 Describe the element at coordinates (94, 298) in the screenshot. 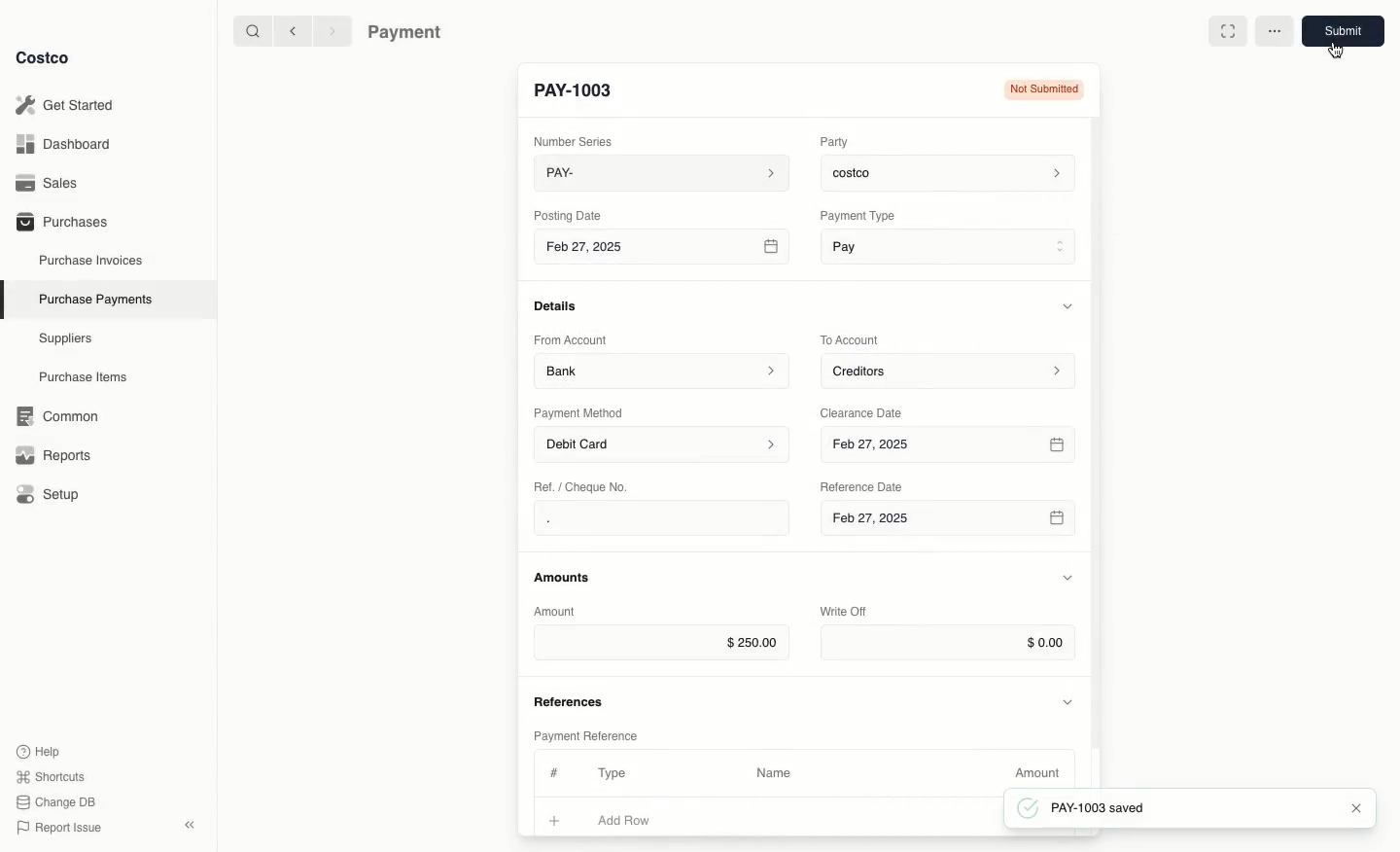

I see `Purchase Payments` at that location.